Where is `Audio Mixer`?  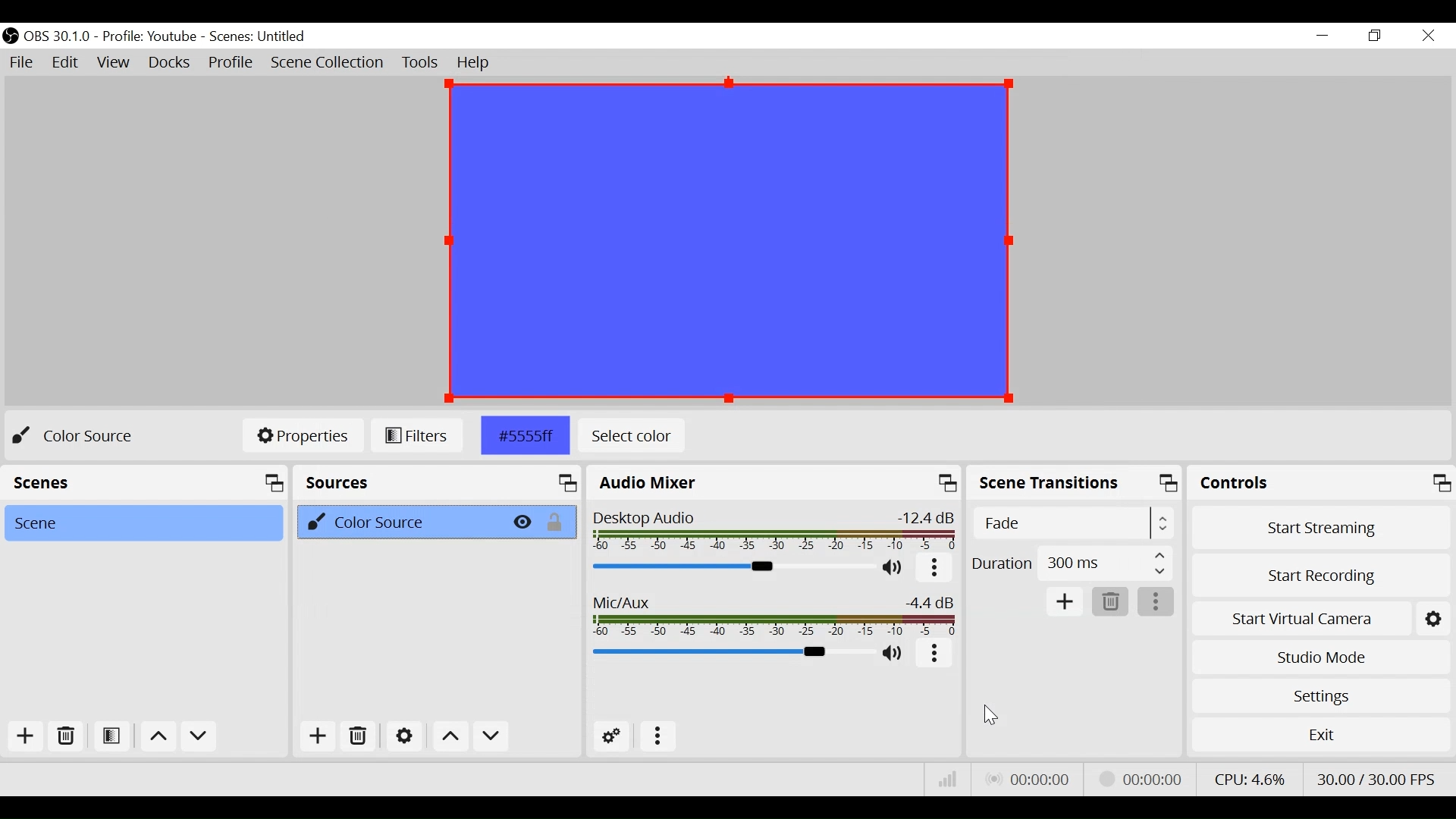
Audio Mixer is located at coordinates (776, 485).